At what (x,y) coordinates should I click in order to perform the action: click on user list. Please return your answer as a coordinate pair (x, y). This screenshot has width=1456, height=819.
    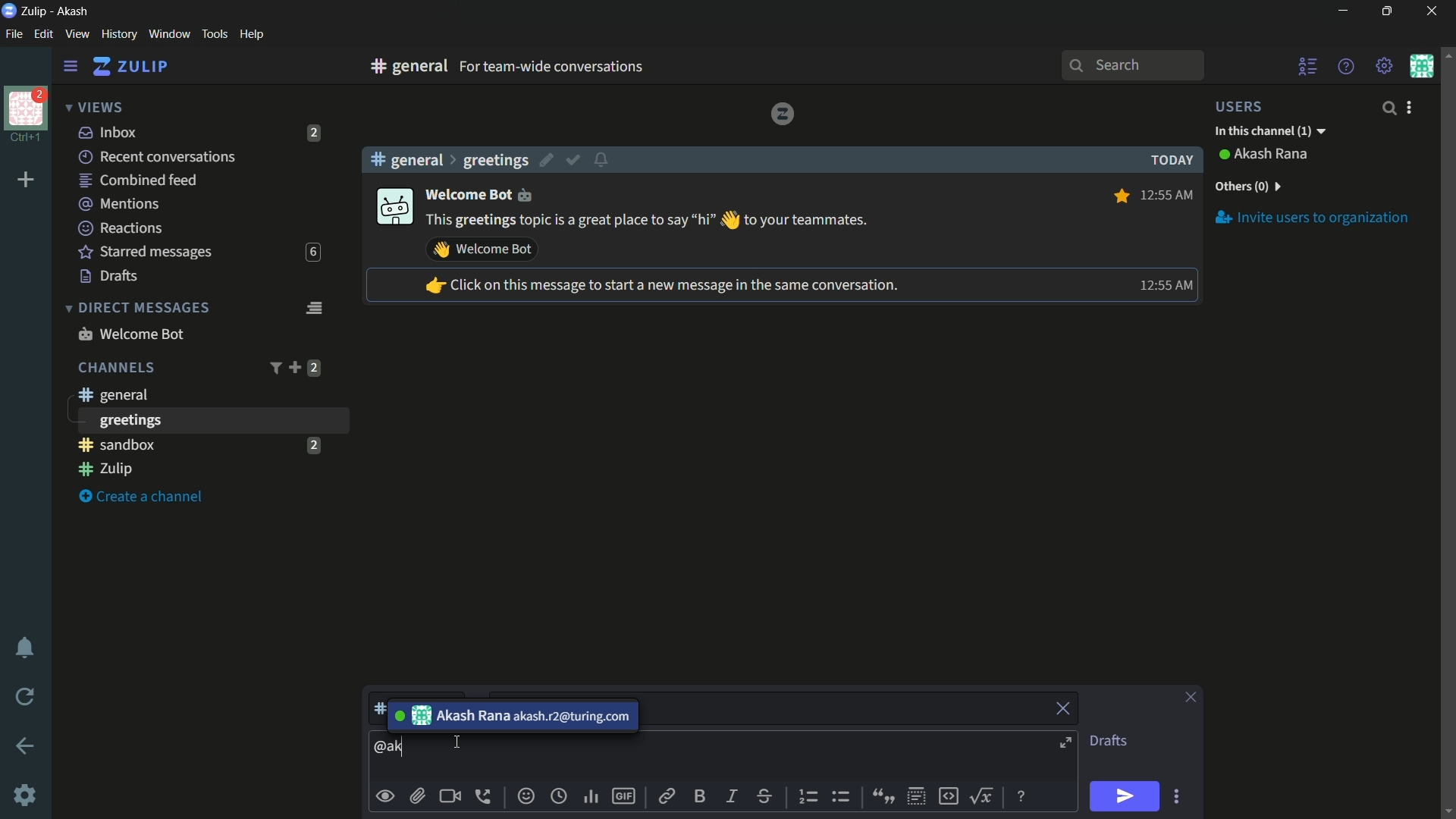
    Looking at the image, I should click on (1309, 66).